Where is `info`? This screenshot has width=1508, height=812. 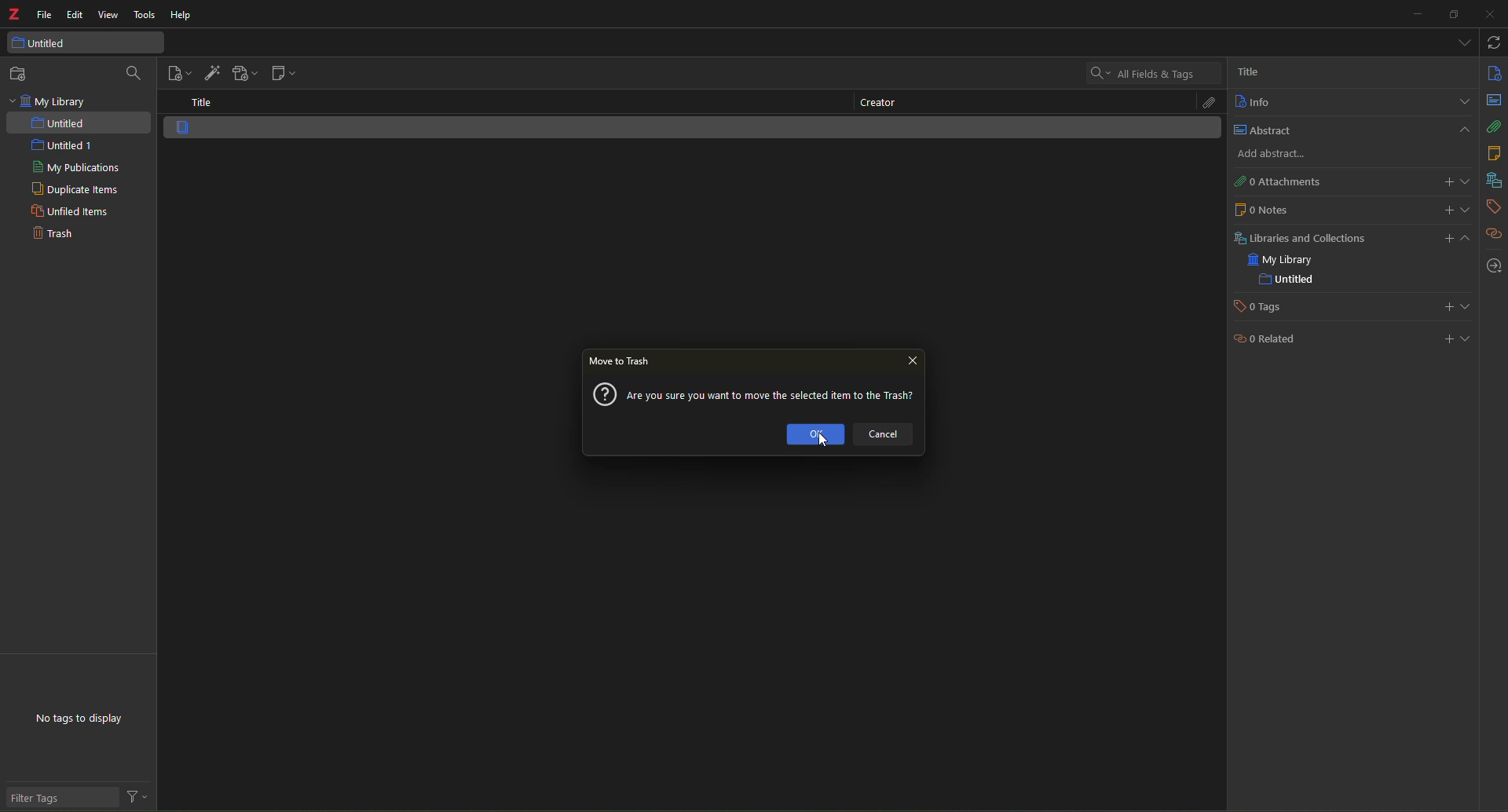
info is located at coordinates (1493, 72).